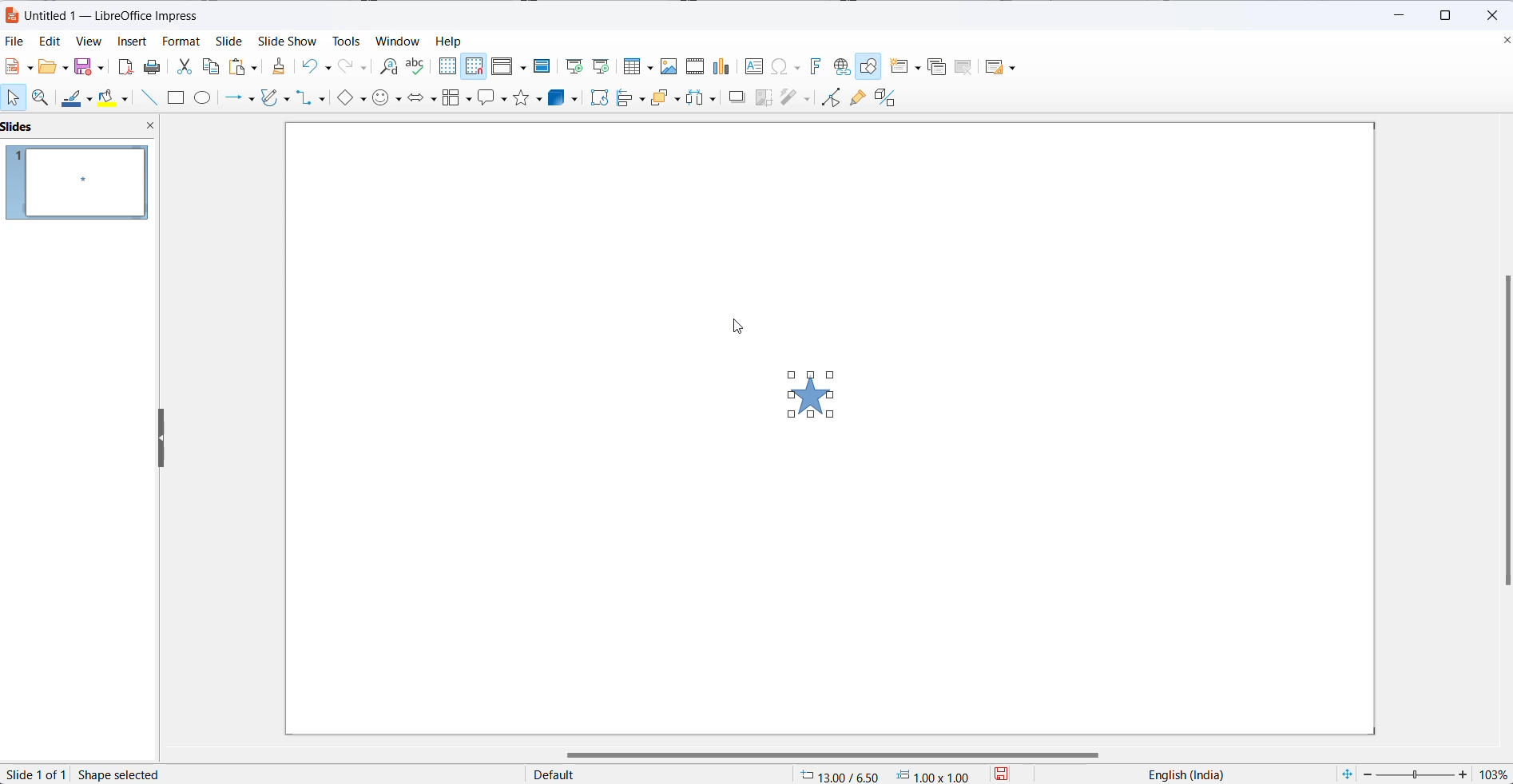  What do you see at coordinates (887, 776) in the screenshot?
I see `6.60/-0.37    0.00x0.00` at bounding box center [887, 776].